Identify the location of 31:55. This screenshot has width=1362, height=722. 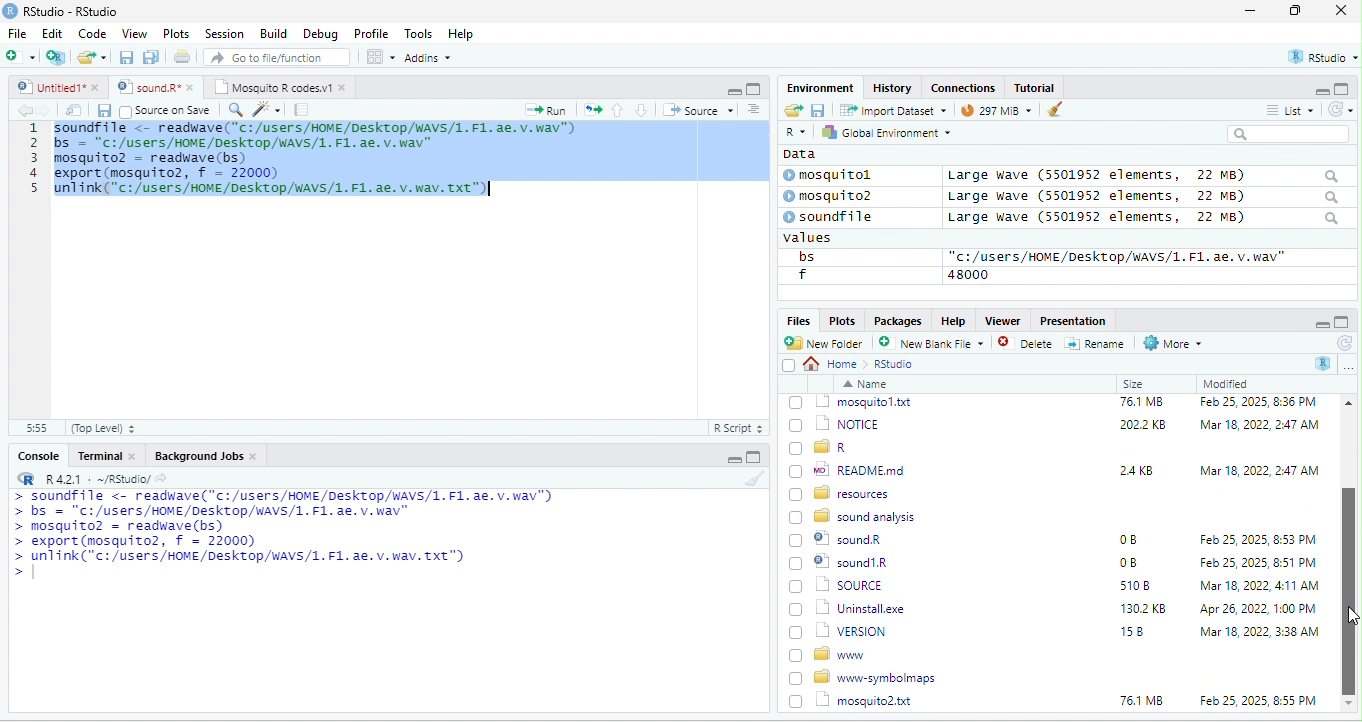
(34, 428).